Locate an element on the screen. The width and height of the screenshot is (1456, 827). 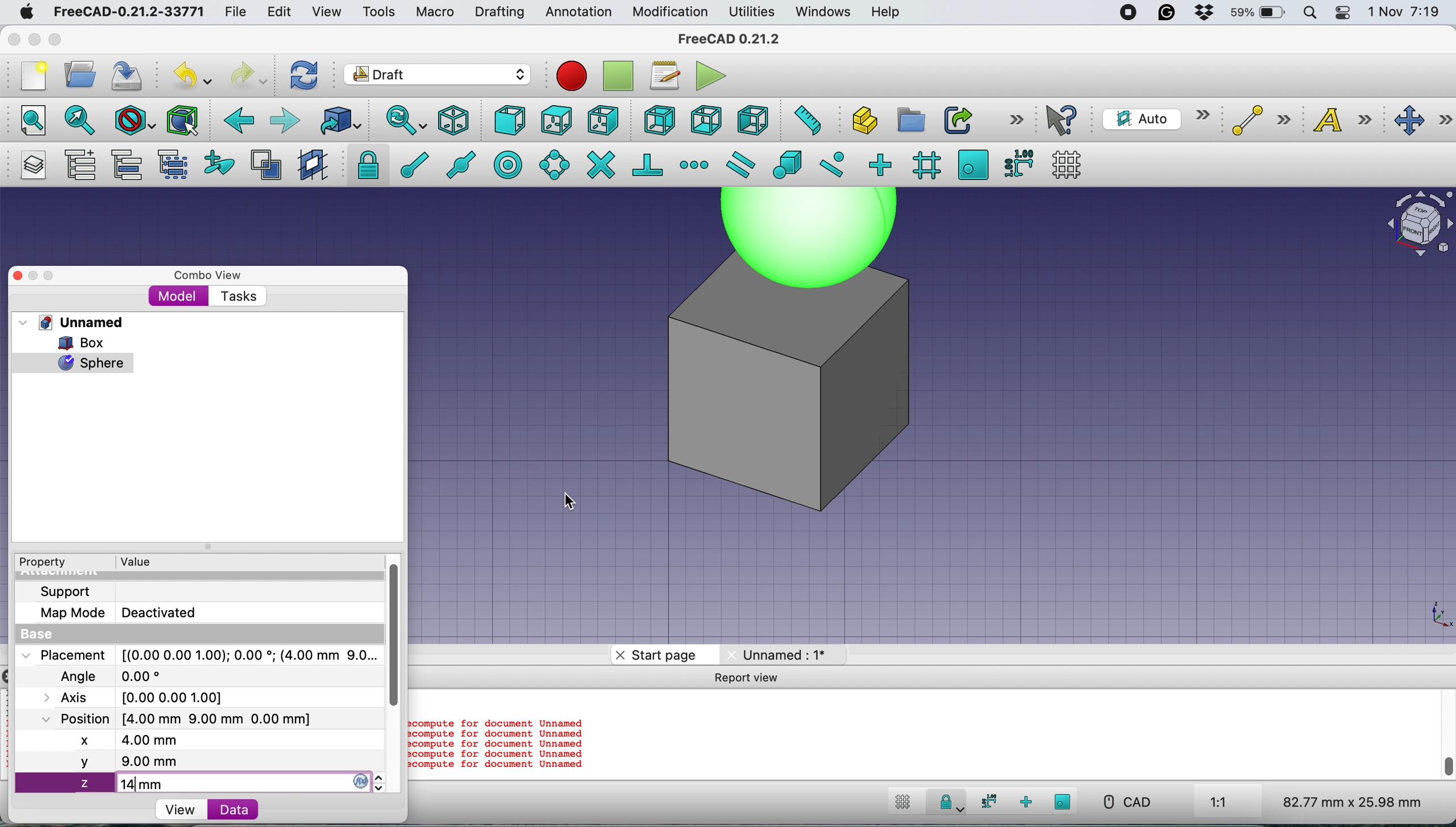
xy coordinate is located at coordinates (1424, 617).